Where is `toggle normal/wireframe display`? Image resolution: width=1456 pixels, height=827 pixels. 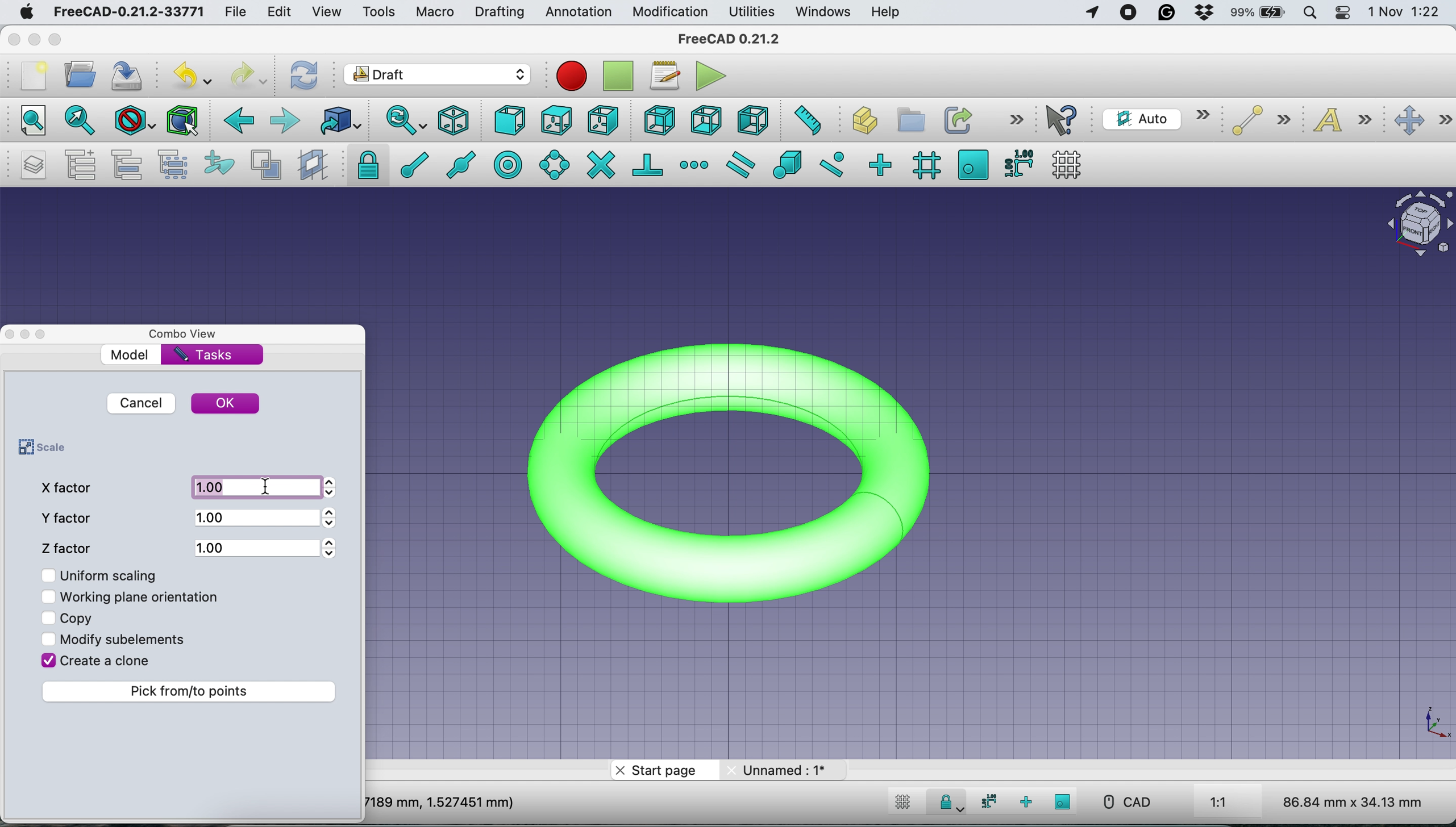 toggle normal/wireframe display is located at coordinates (265, 165).